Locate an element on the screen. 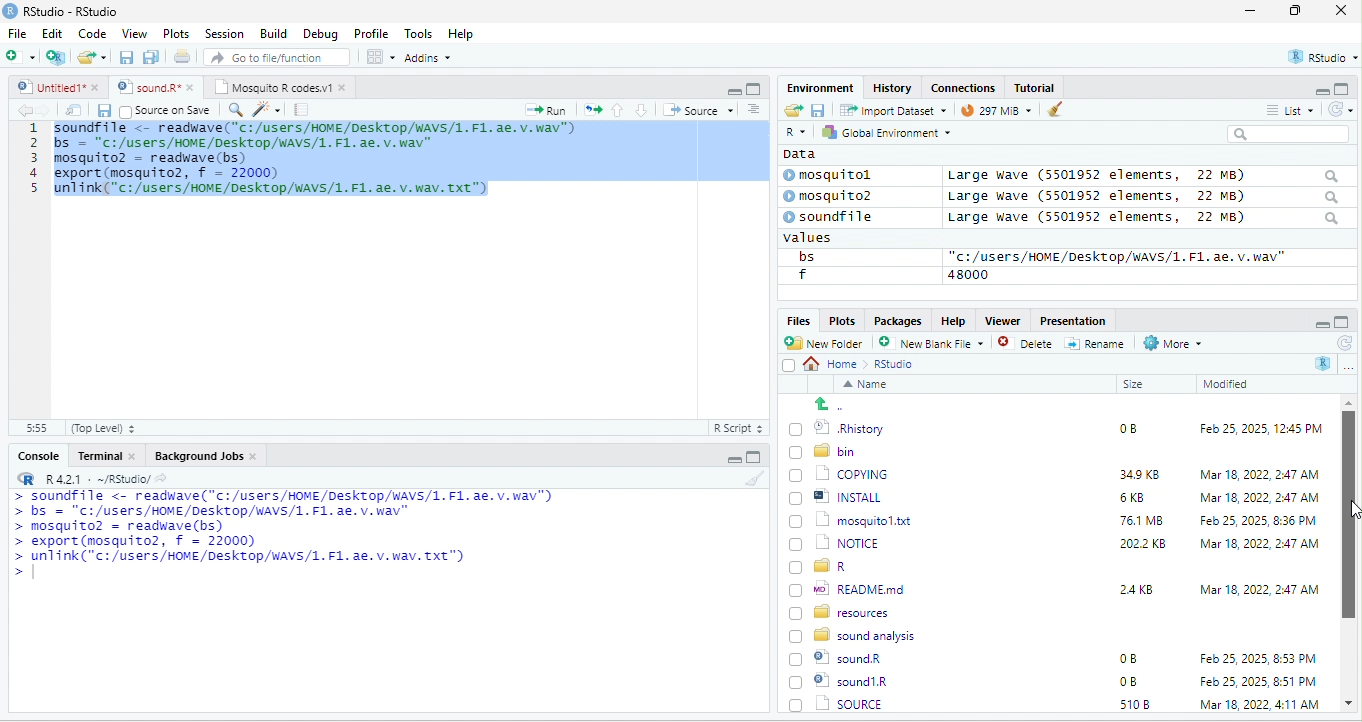 This screenshot has width=1362, height=722. Size is located at coordinates (1134, 385).